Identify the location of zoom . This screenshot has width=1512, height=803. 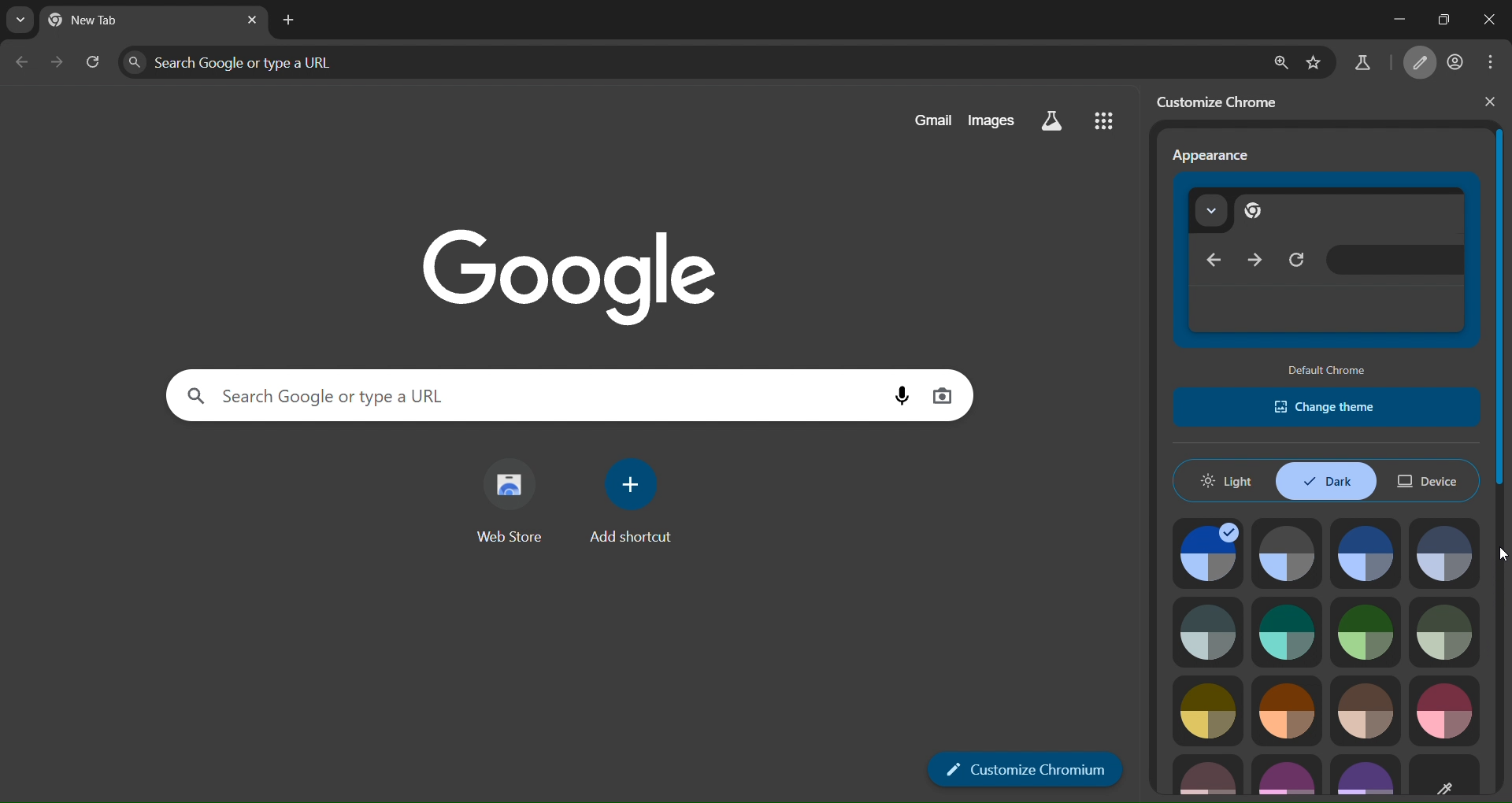
(1279, 61).